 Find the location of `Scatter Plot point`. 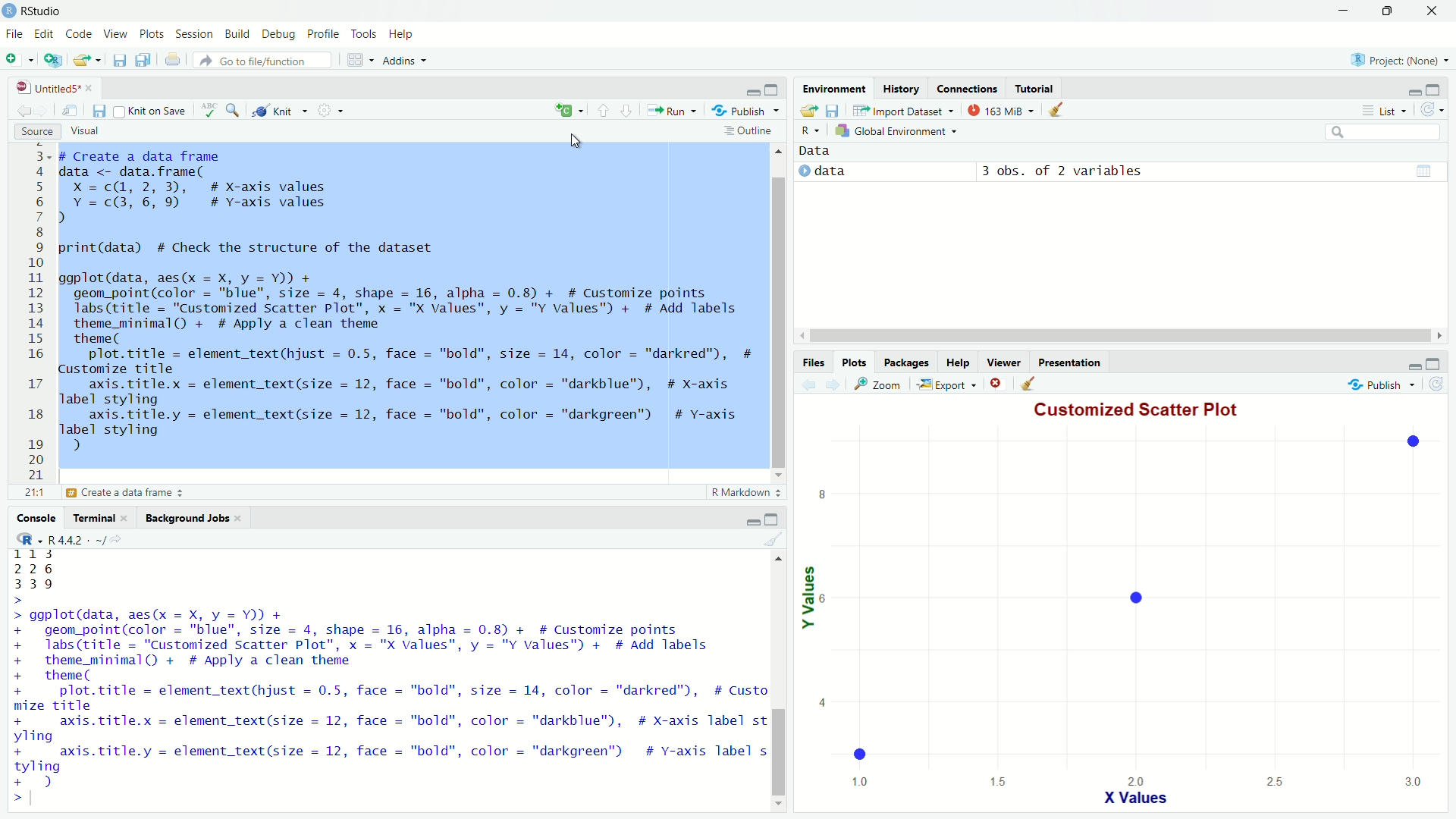

Scatter Plot point is located at coordinates (1129, 595).